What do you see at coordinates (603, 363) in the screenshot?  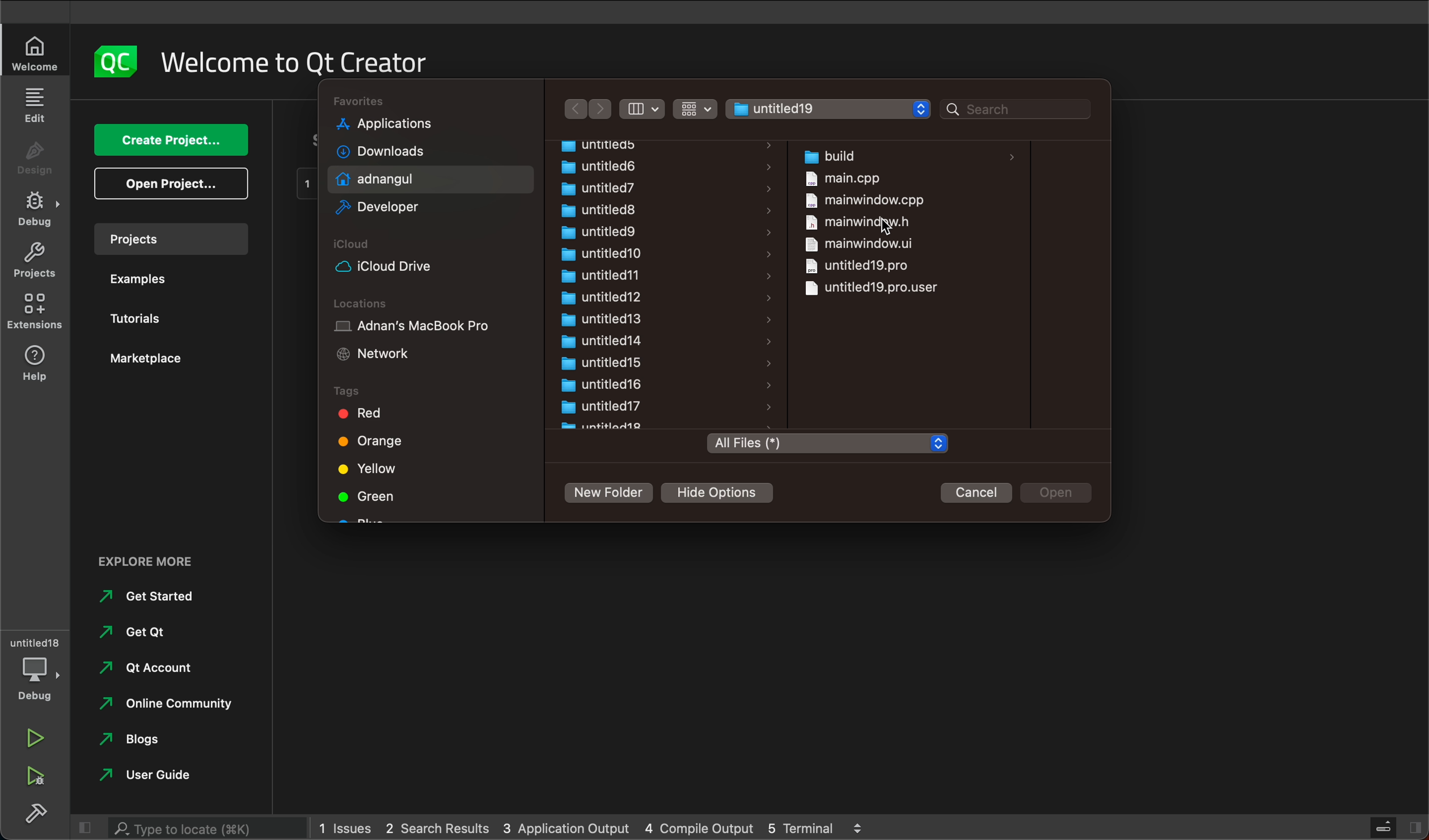 I see `untitled15` at bounding box center [603, 363].